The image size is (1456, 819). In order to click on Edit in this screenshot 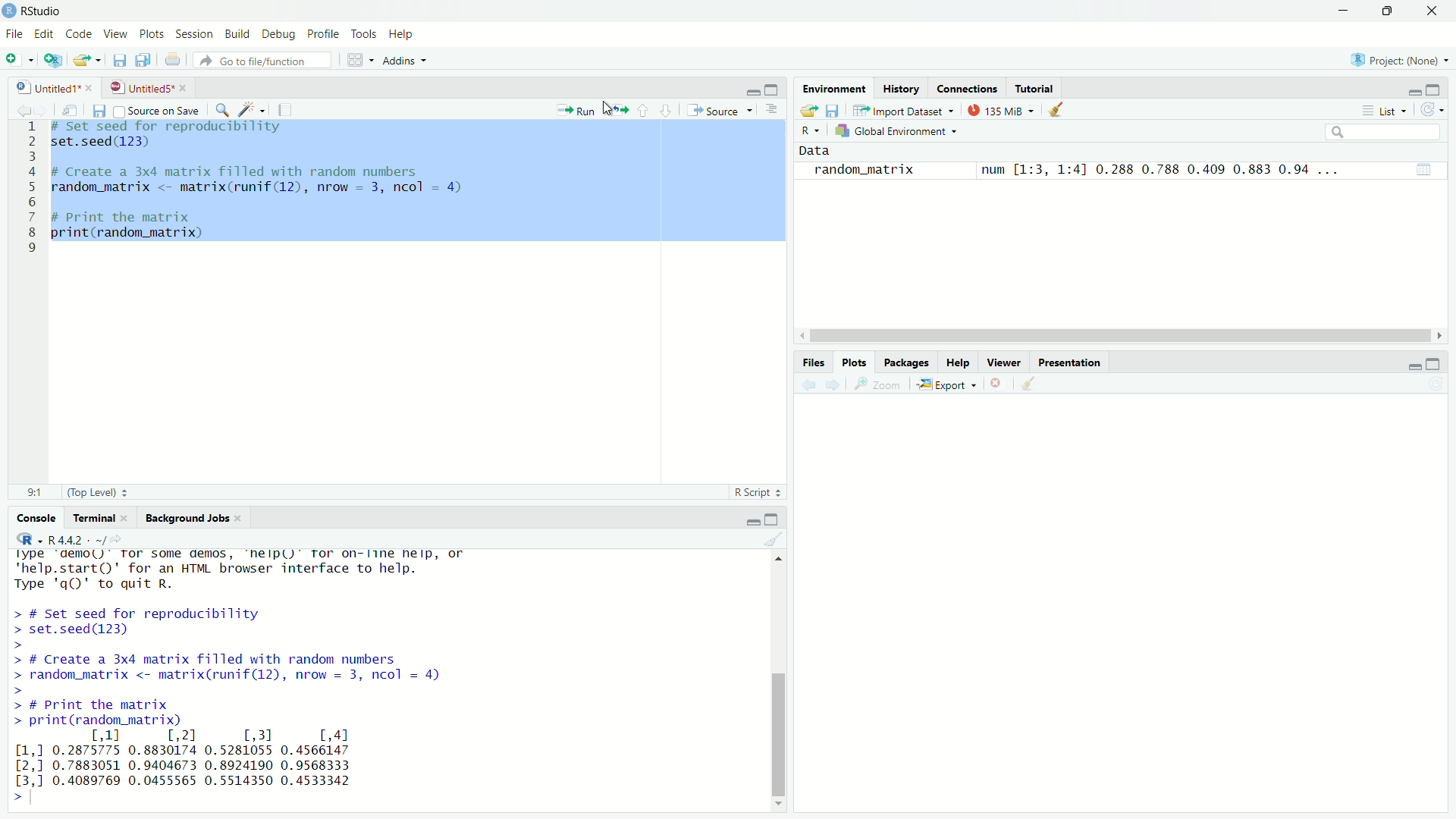, I will do `click(45, 36)`.